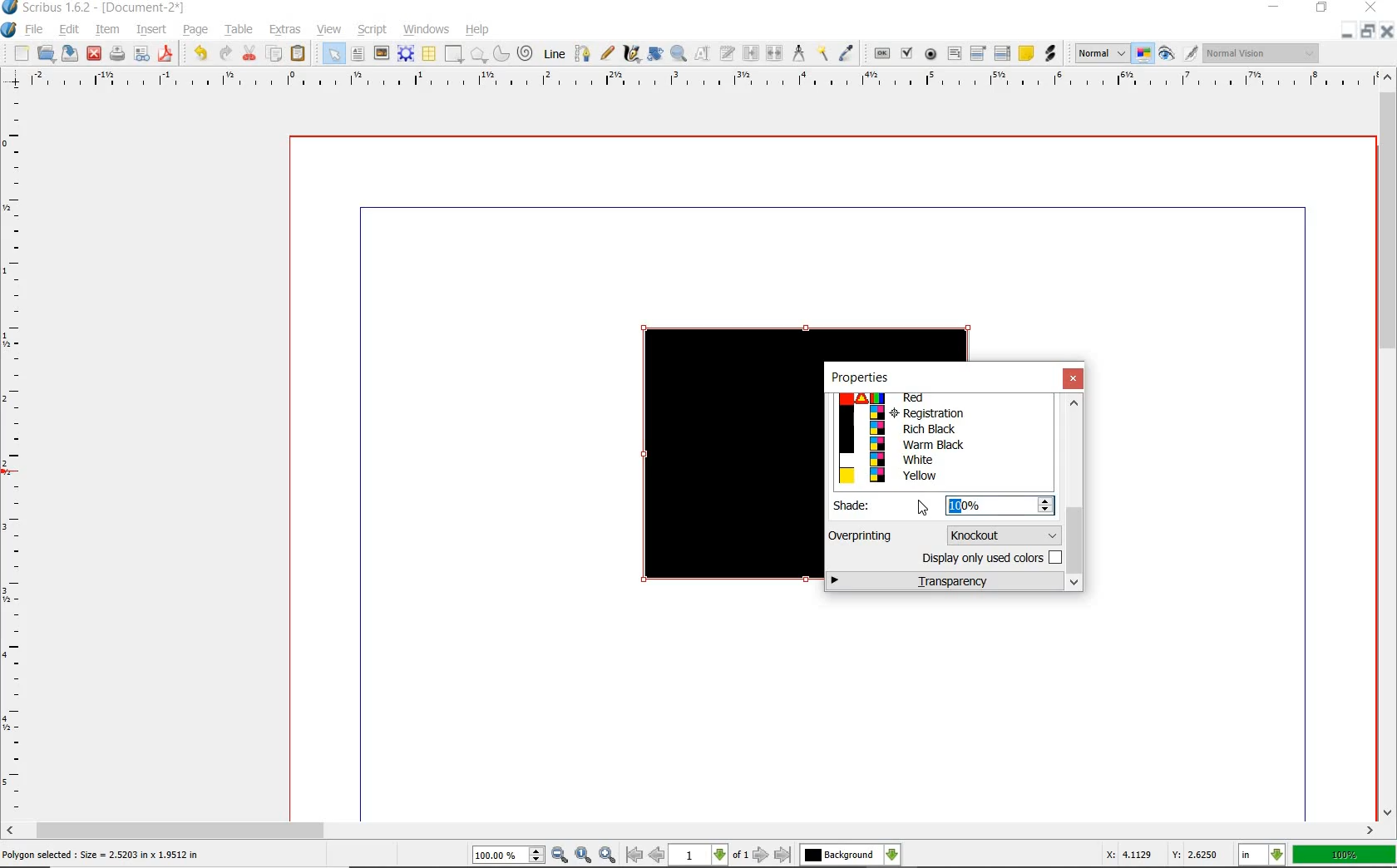  I want to click on MINIMIZE, so click(1345, 36).